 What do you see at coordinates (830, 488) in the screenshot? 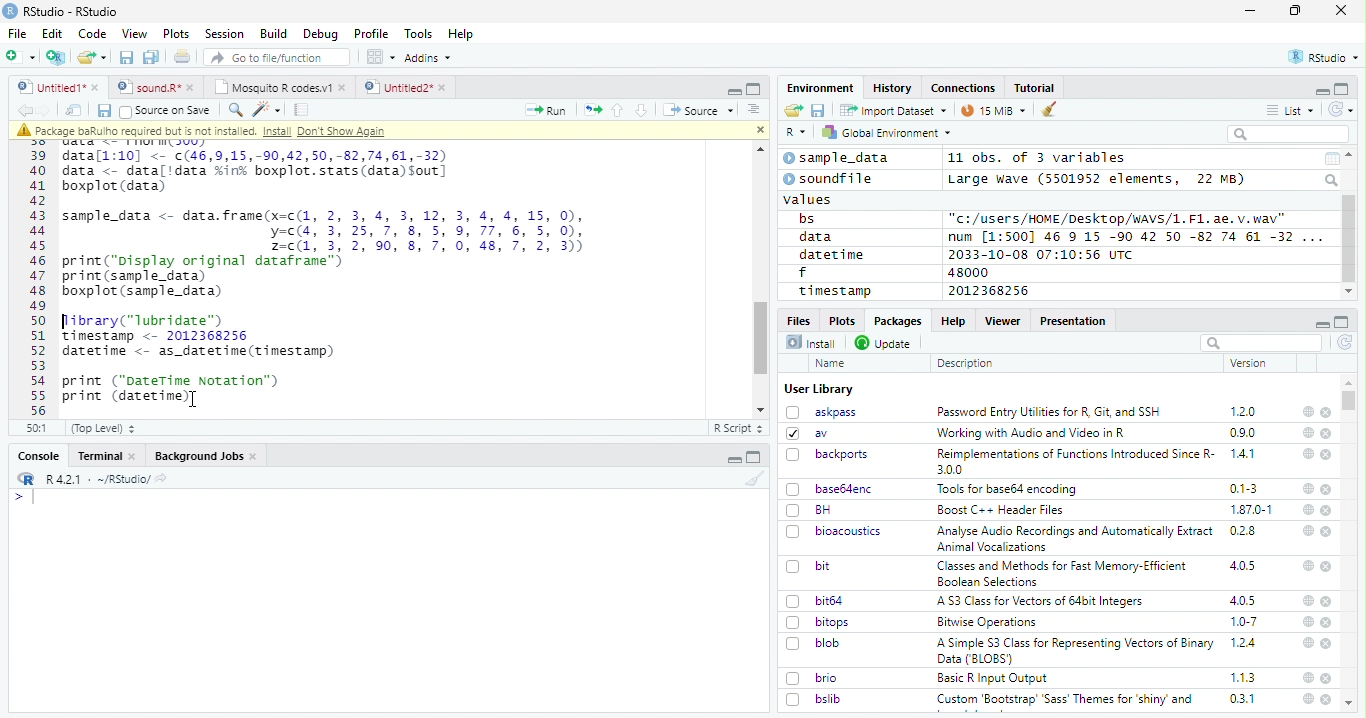
I see `base64enc` at bounding box center [830, 488].